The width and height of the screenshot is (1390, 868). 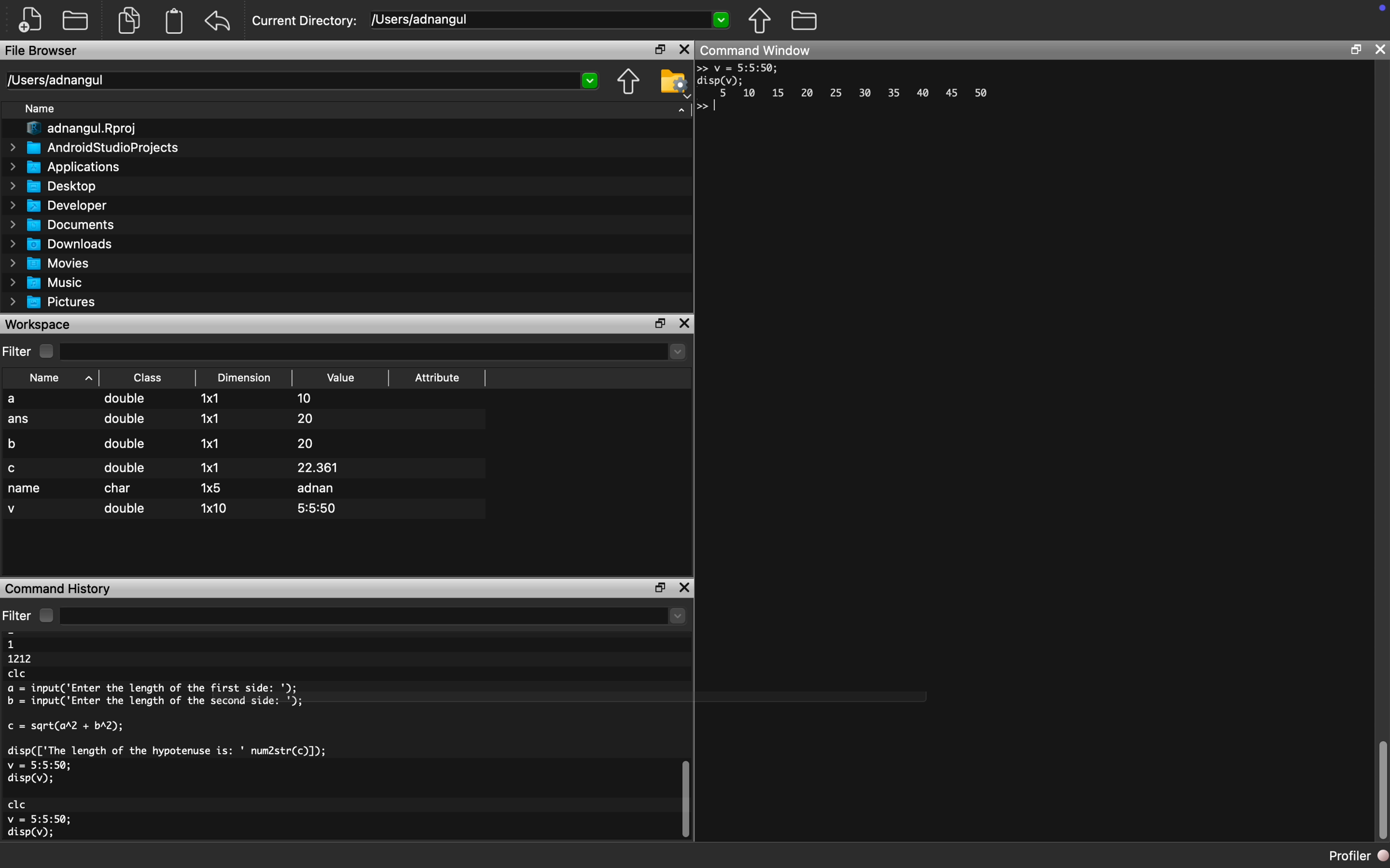 What do you see at coordinates (213, 419) in the screenshot?
I see `1x1` at bounding box center [213, 419].